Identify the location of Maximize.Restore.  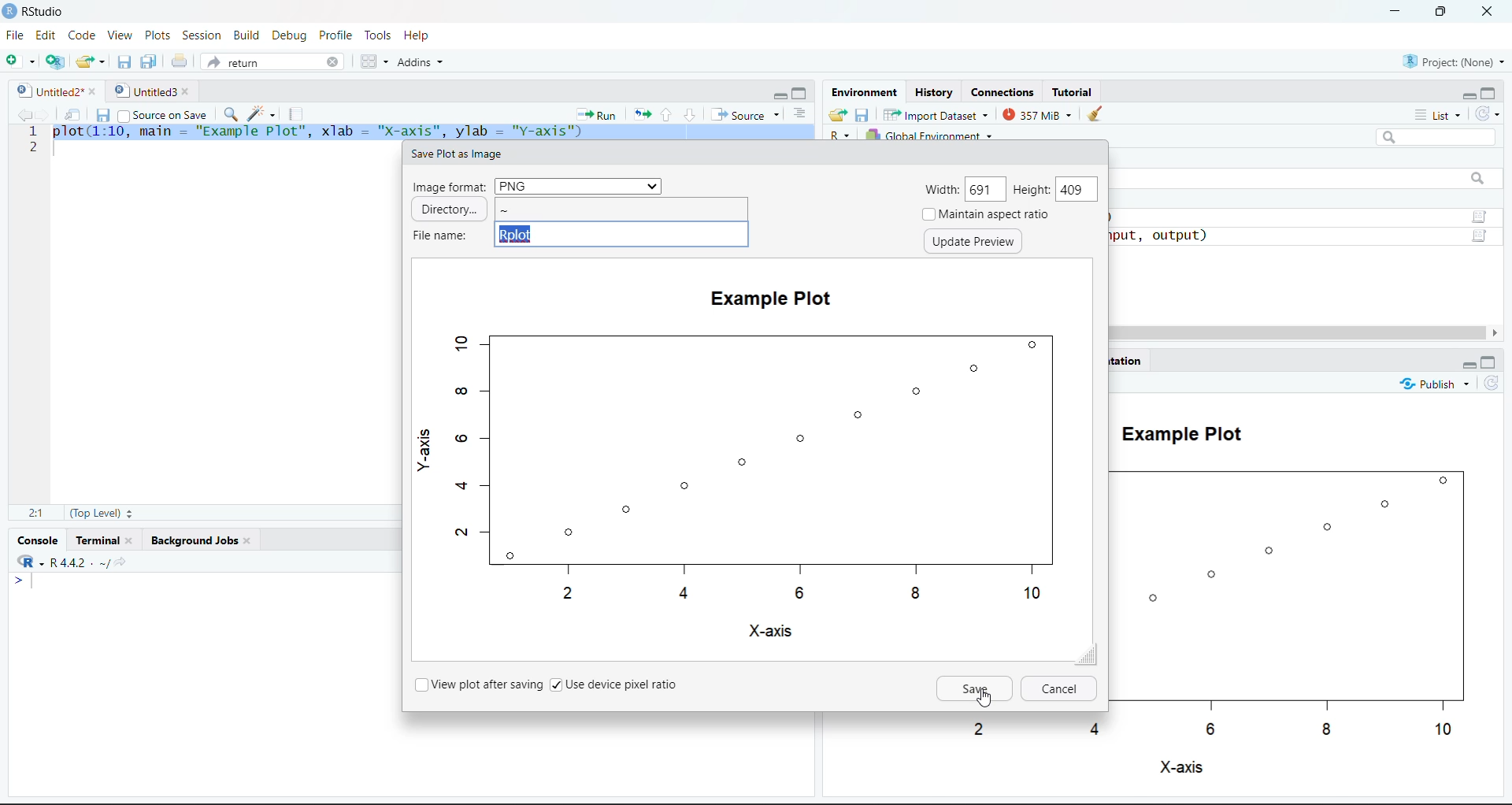
(801, 91).